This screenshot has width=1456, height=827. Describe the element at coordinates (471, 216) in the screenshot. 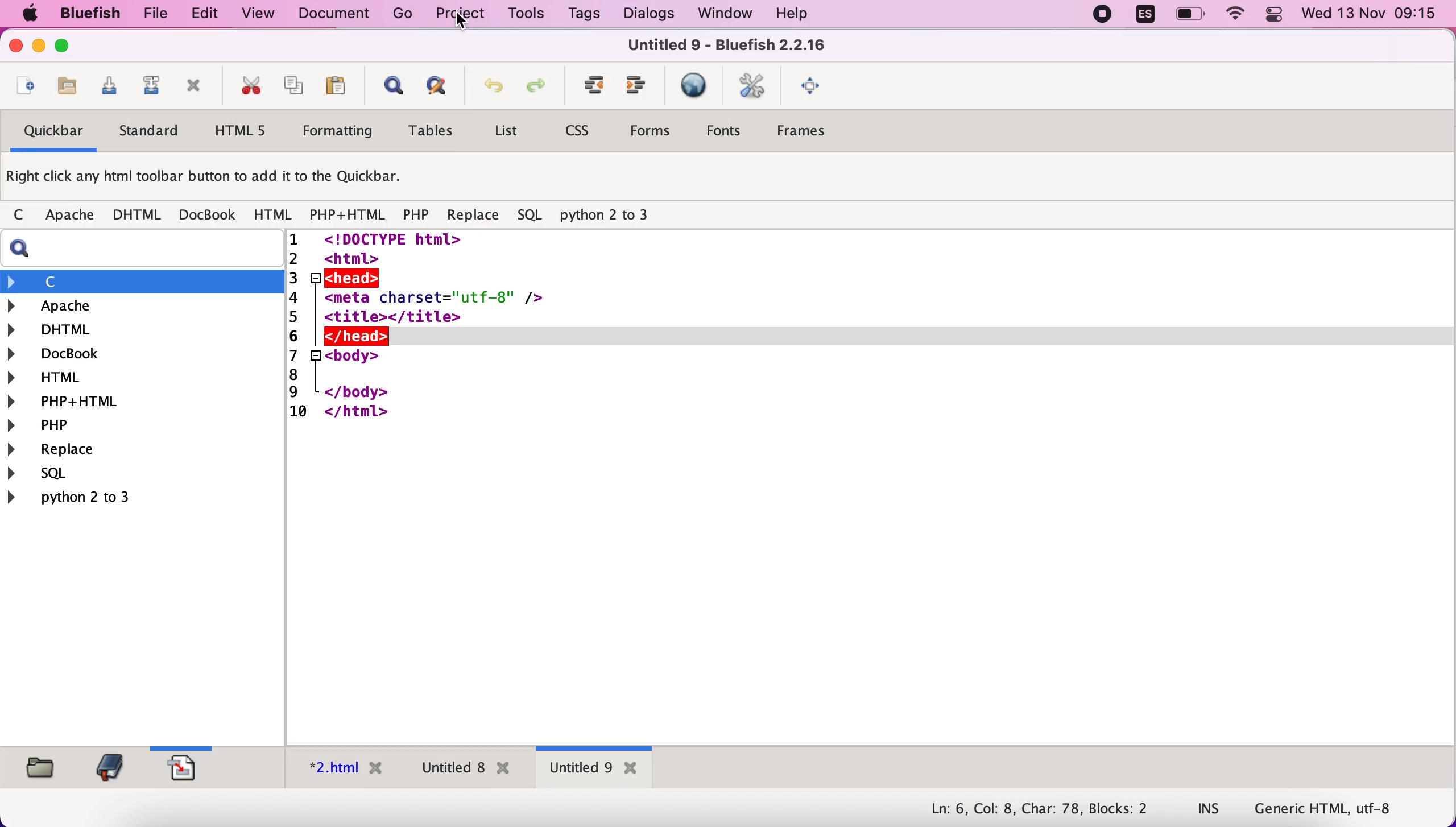

I see `replace` at that location.